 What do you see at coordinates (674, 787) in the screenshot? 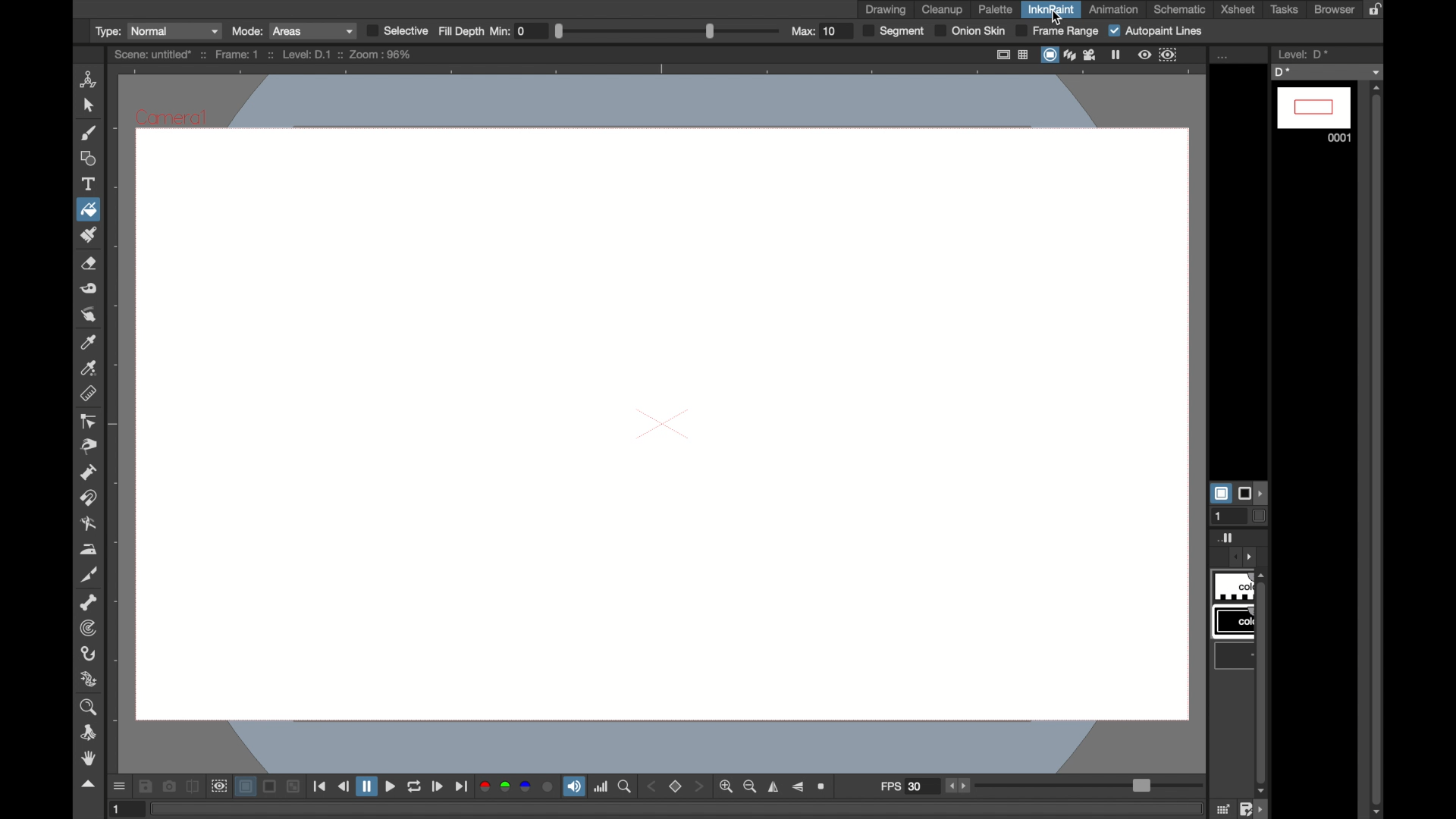
I see `stop` at bounding box center [674, 787].